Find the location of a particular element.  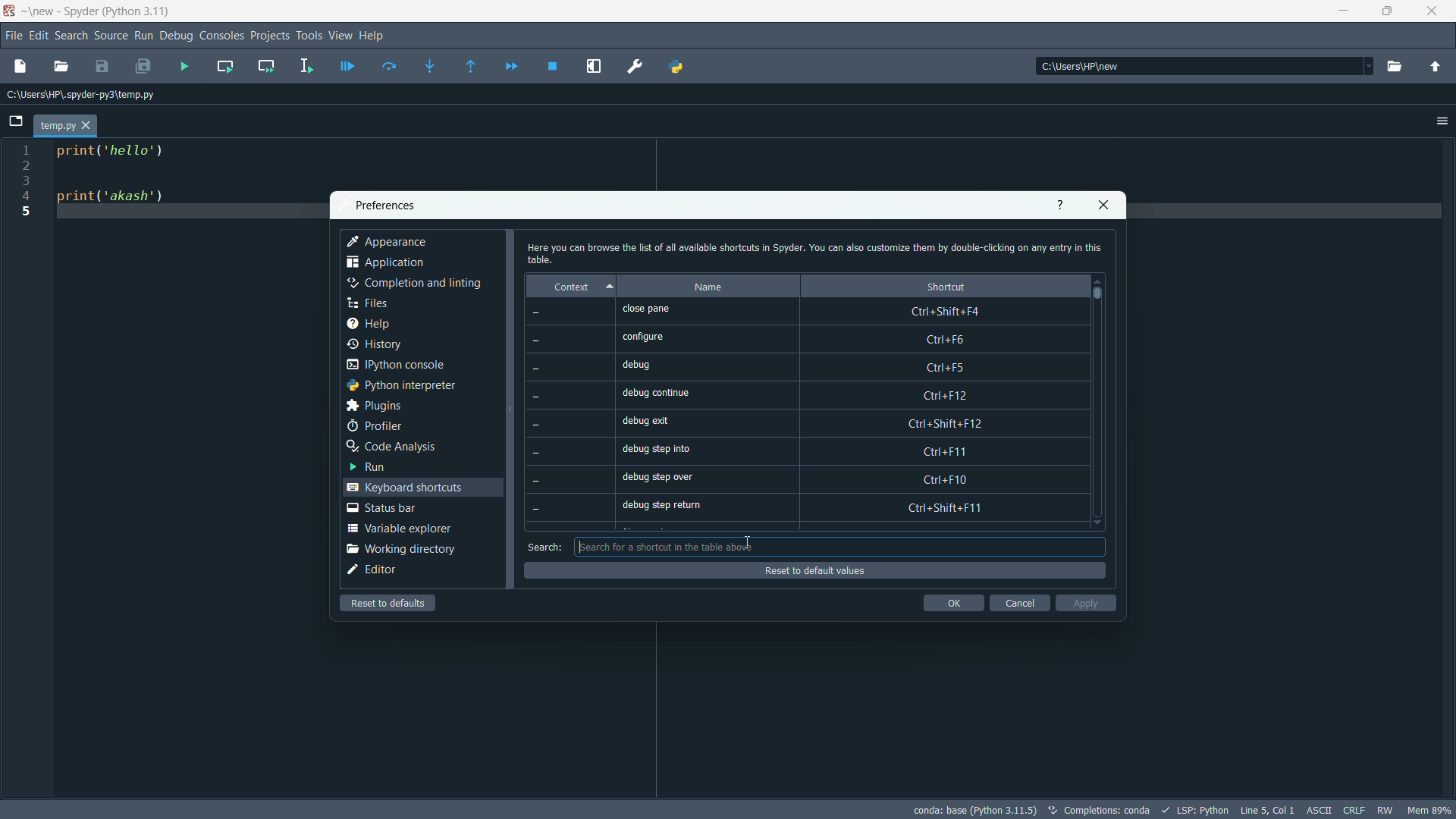

close icon is located at coordinates (1104, 206).